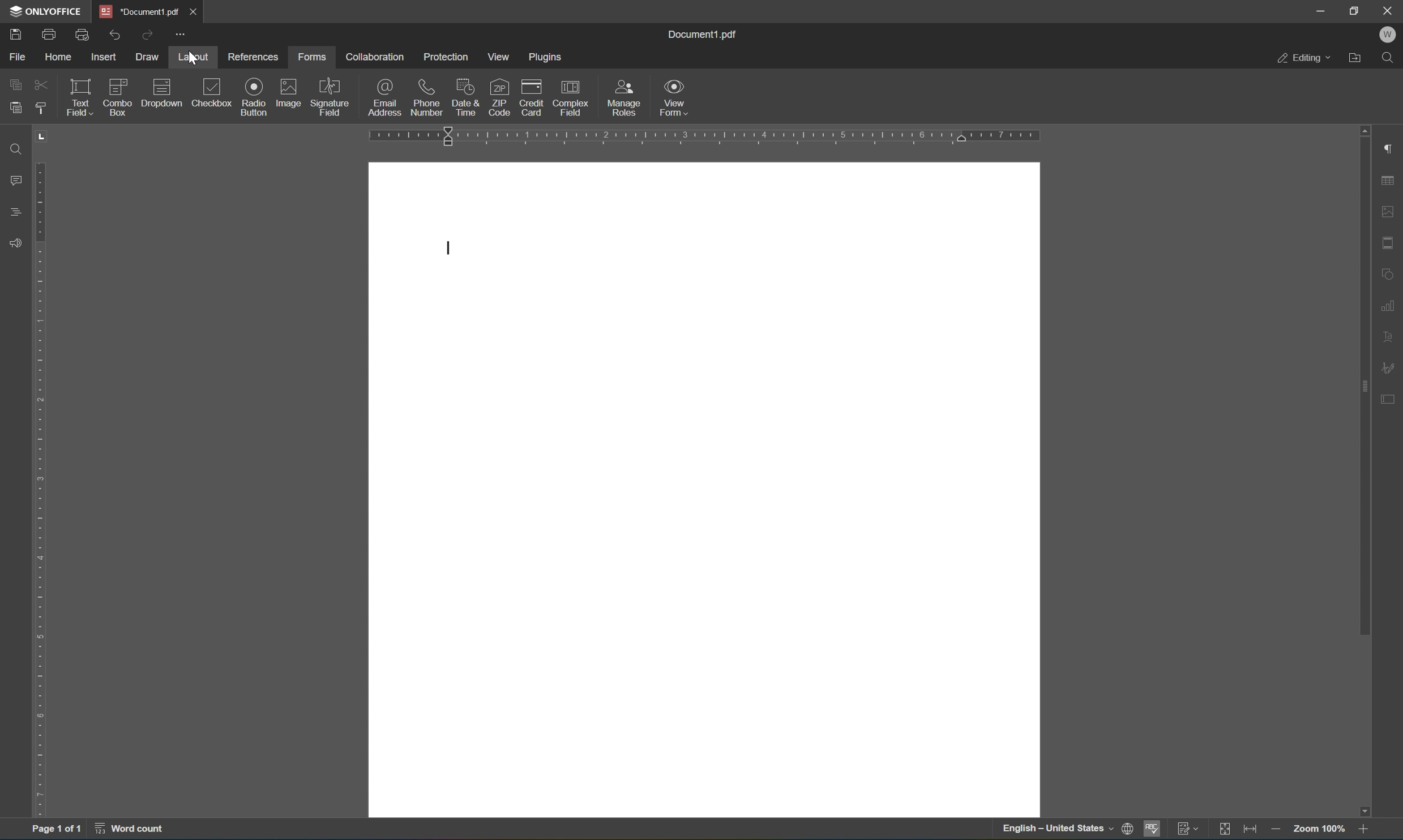 The image size is (1403, 840). Describe the element at coordinates (532, 97) in the screenshot. I see `credit chat` at that location.